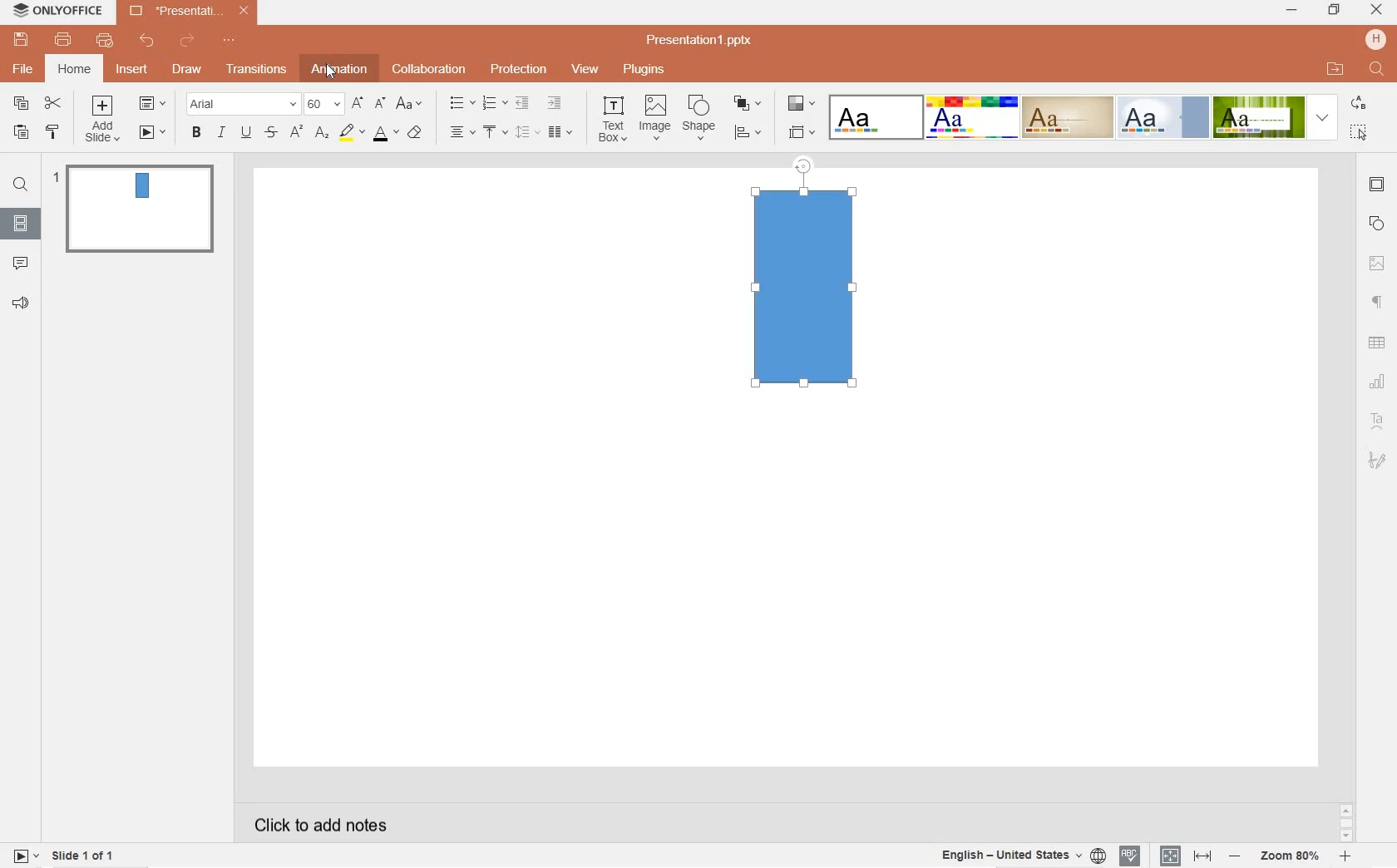 The height and width of the screenshot is (868, 1397). Describe the element at coordinates (1377, 224) in the screenshot. I see `shape settings` at that location.